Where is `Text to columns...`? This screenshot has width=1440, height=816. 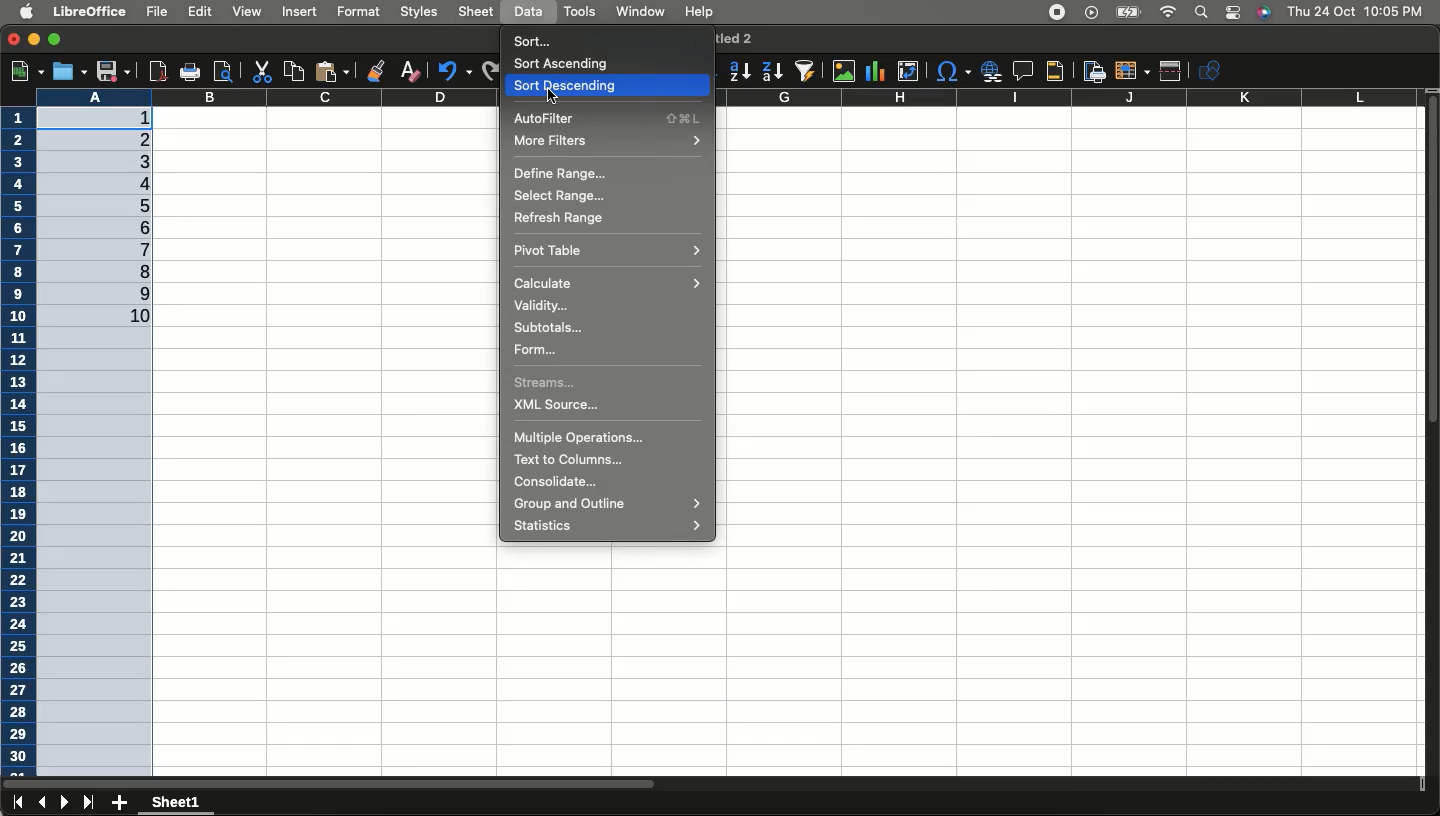
Text to columns... is located at coordinates (565, 459).